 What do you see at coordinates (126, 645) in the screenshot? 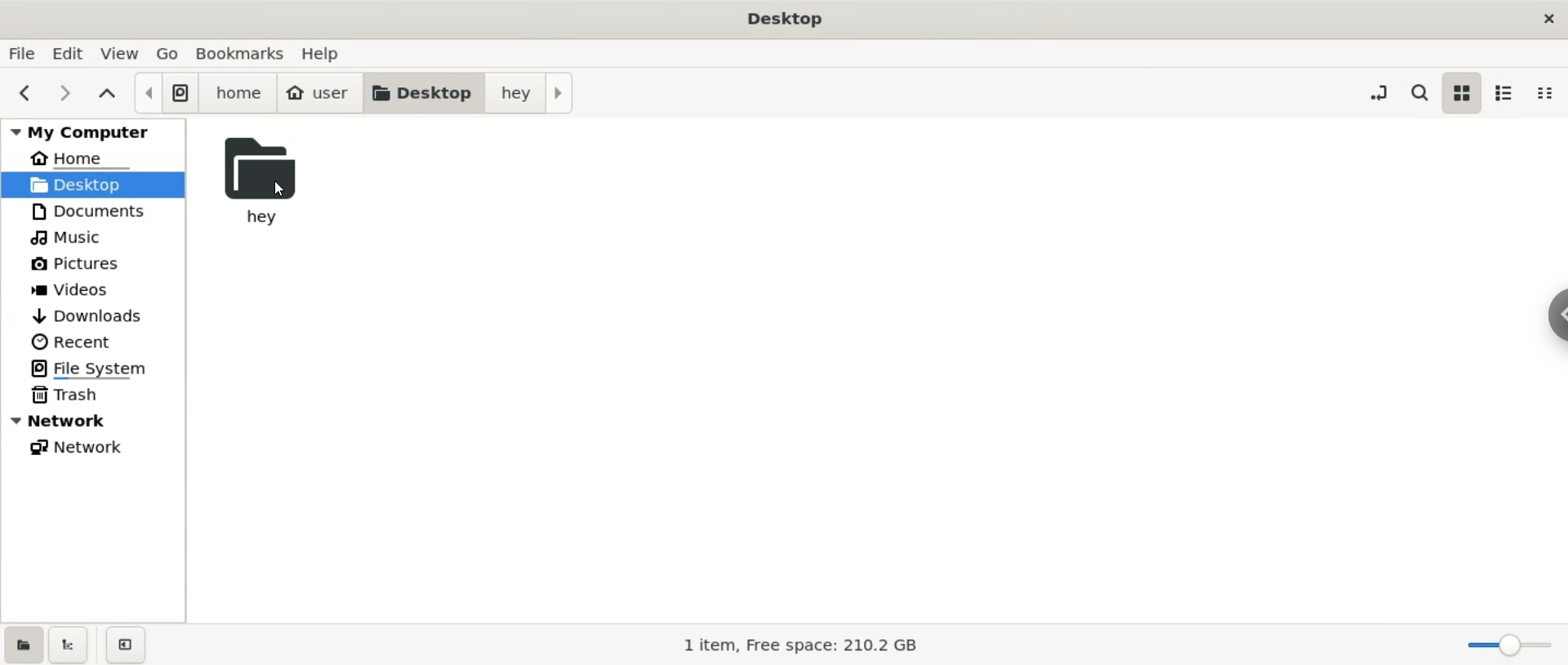
I see `close sidebar` at bounding box center [126, 645].